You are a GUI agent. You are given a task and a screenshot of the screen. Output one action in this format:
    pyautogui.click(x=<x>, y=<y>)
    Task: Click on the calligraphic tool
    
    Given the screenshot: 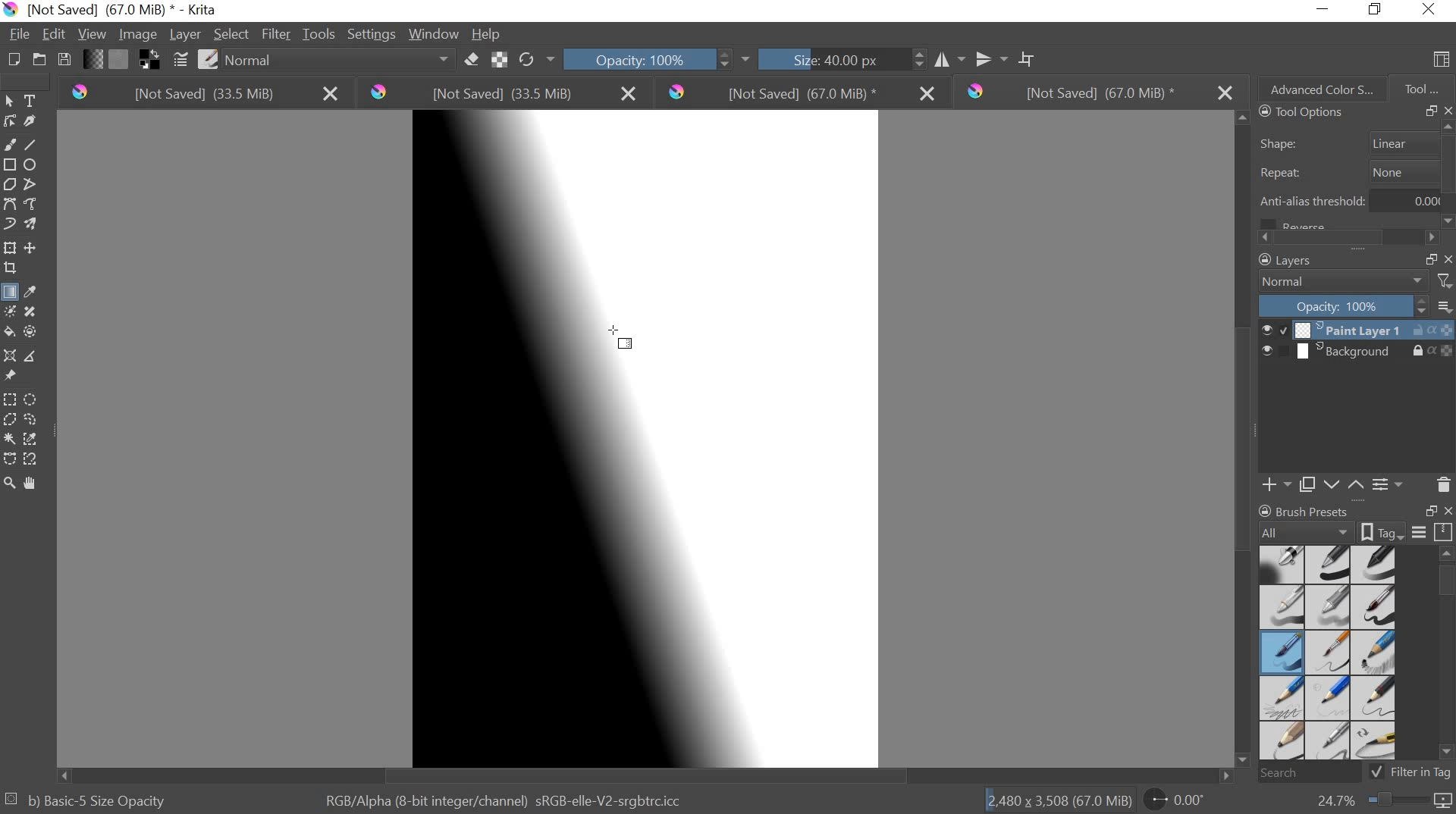 What is the action you would take?
    pyautogui.click(x=33, y=121)
    